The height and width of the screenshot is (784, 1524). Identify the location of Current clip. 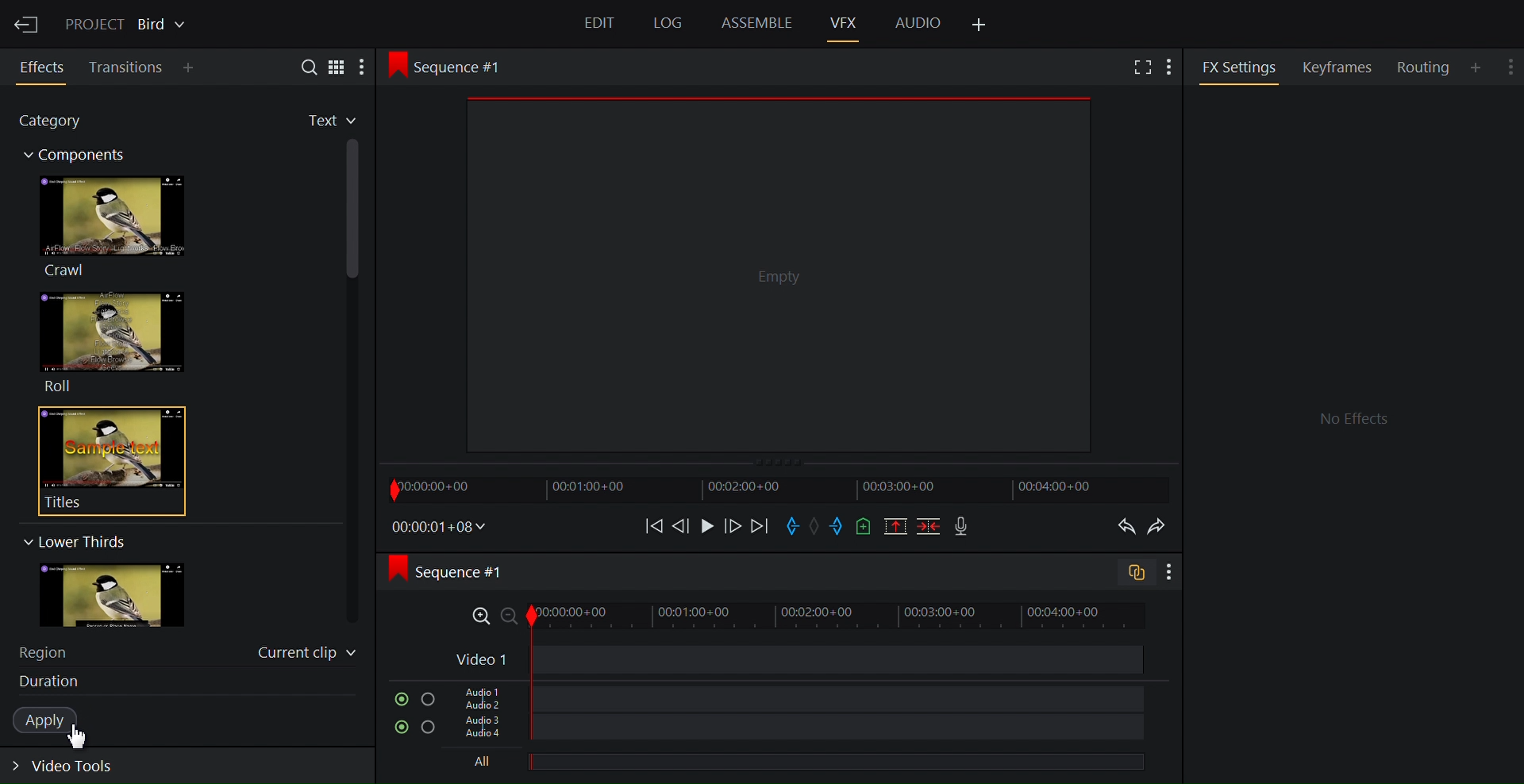
(307, 655).